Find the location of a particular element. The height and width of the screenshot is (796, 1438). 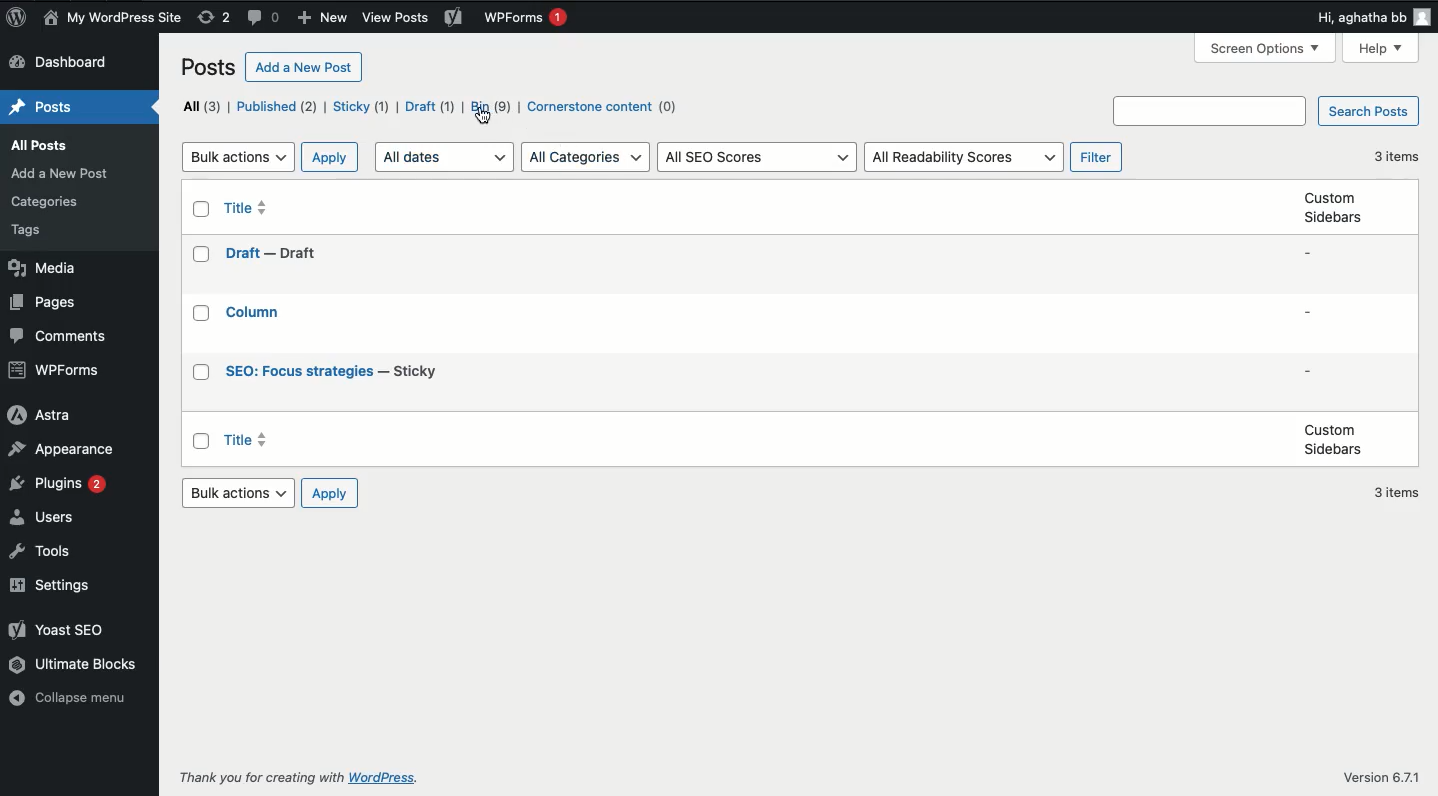

Plugins is located at coordinates (57, 484).